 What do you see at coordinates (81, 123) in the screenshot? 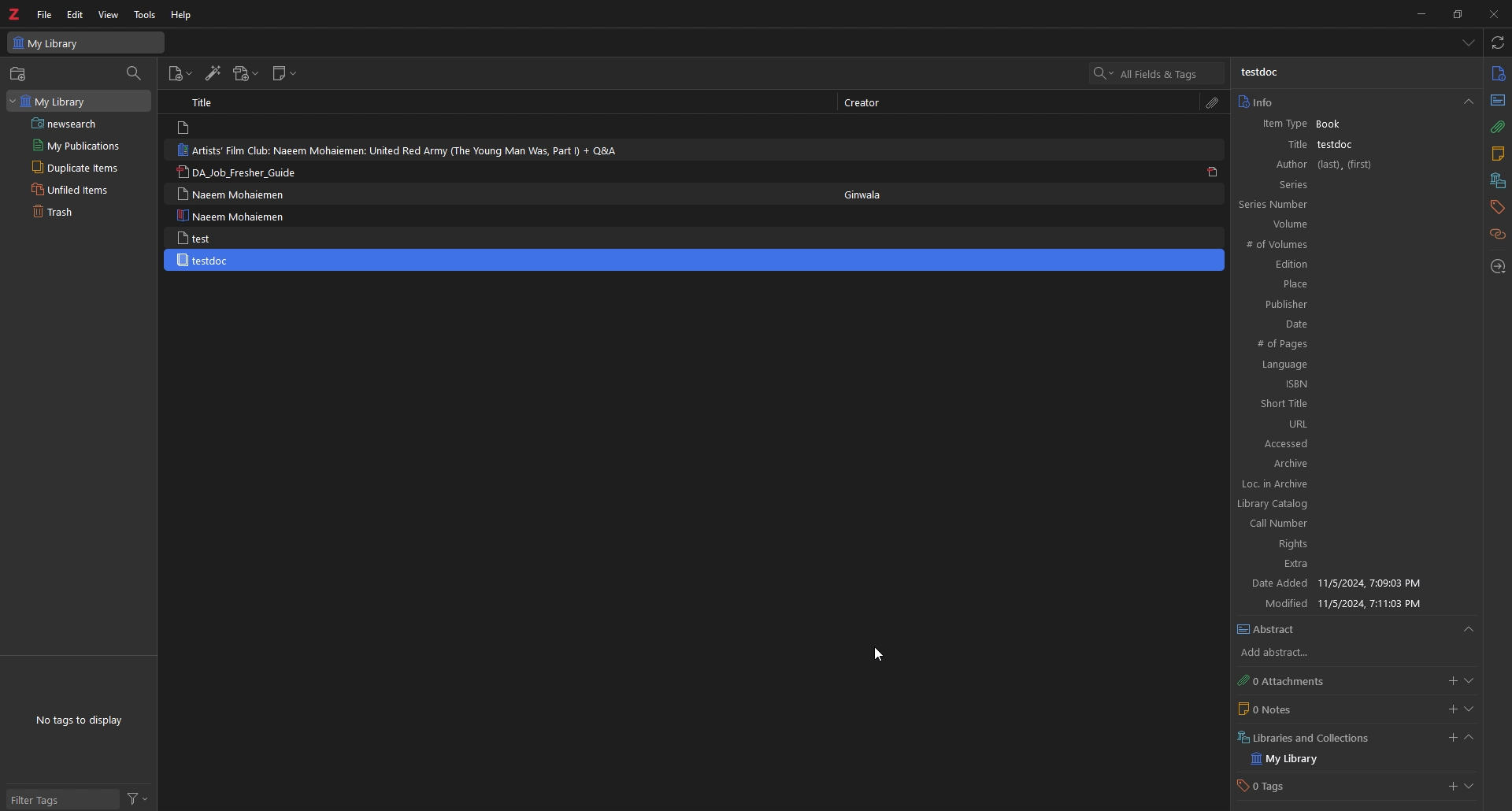
I see `saved search` at bounding box center [81, 123].